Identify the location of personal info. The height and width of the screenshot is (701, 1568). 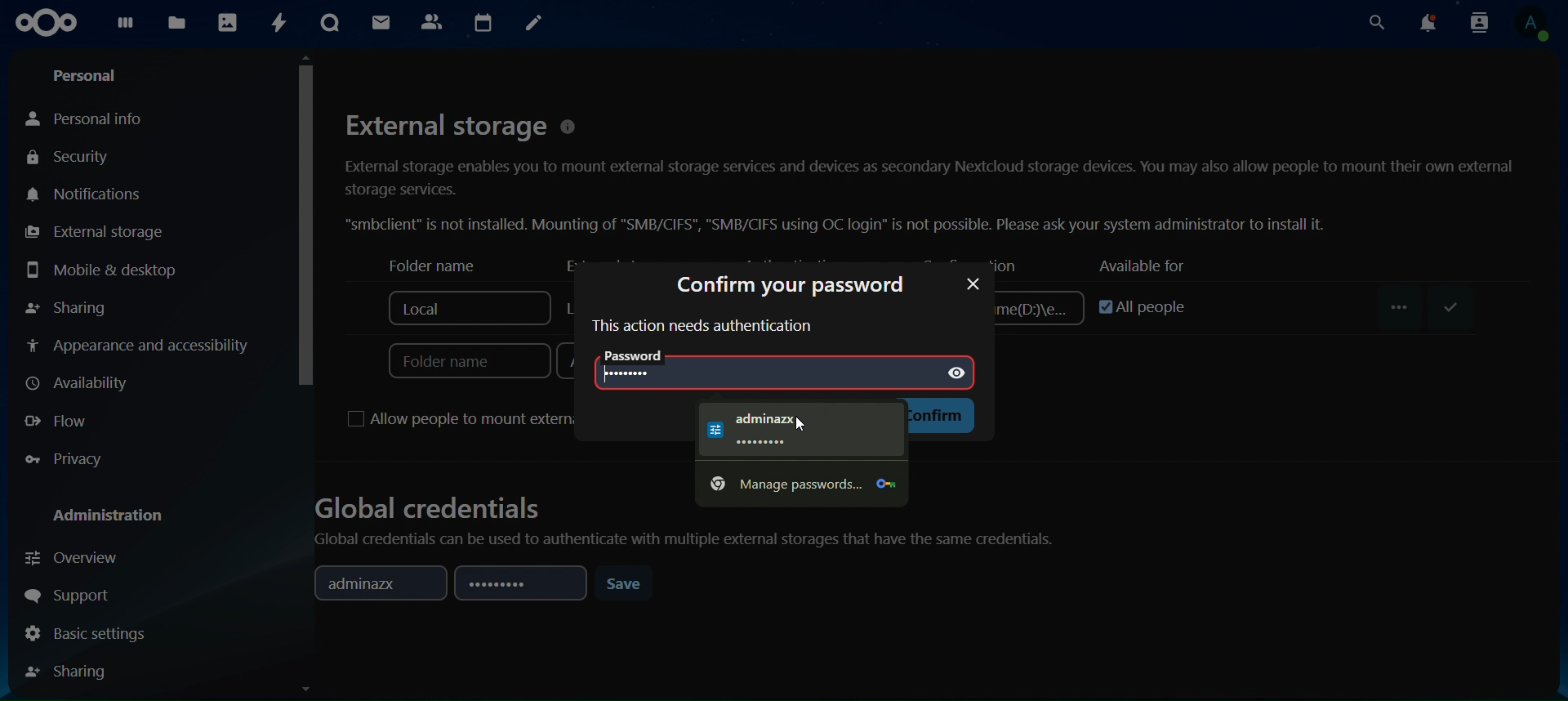
(90, 115).